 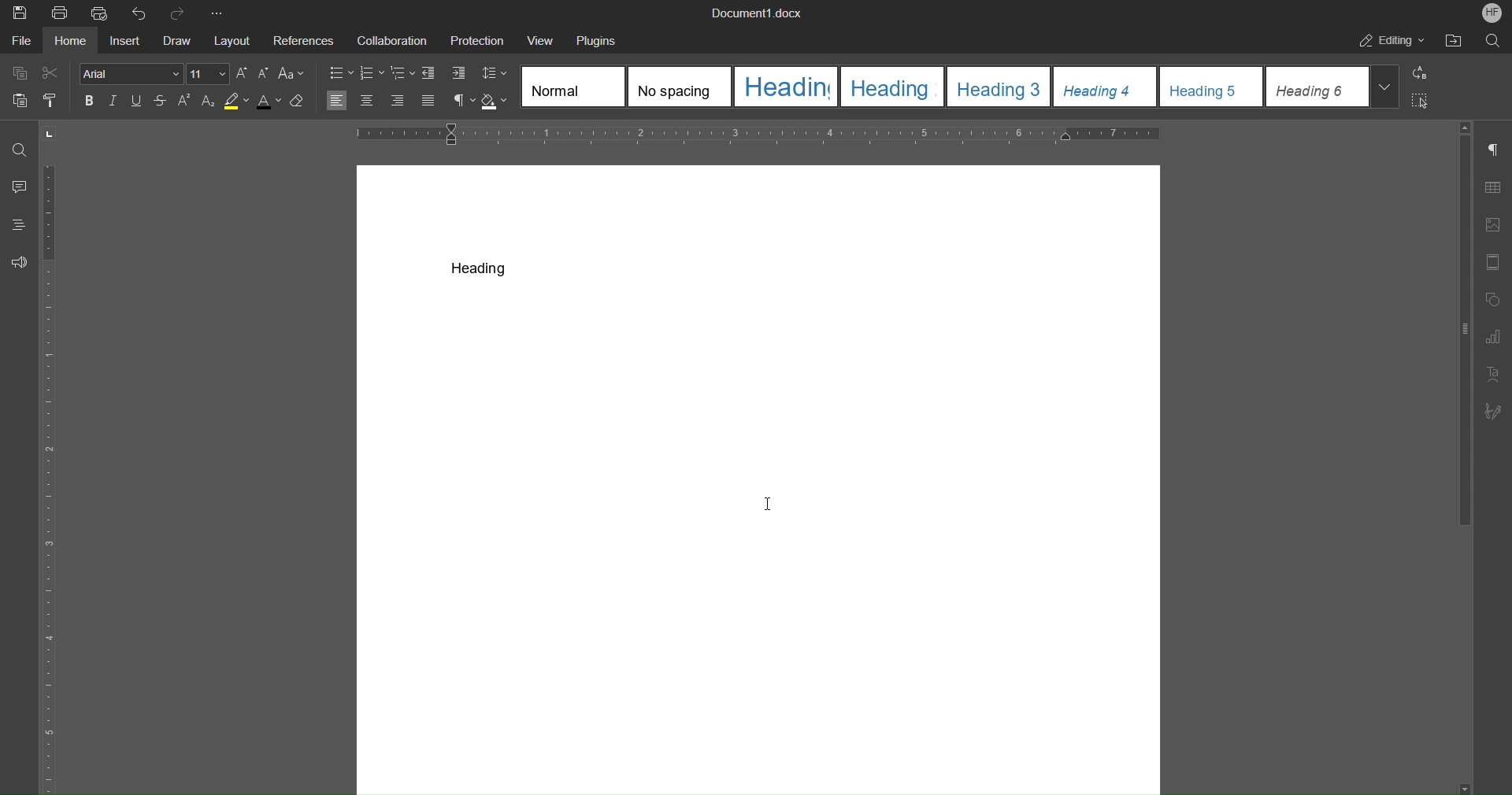 What do you see at coordinates (113, 102) in the screenshot?
I see `Italics` at bounding box center [113, 102].